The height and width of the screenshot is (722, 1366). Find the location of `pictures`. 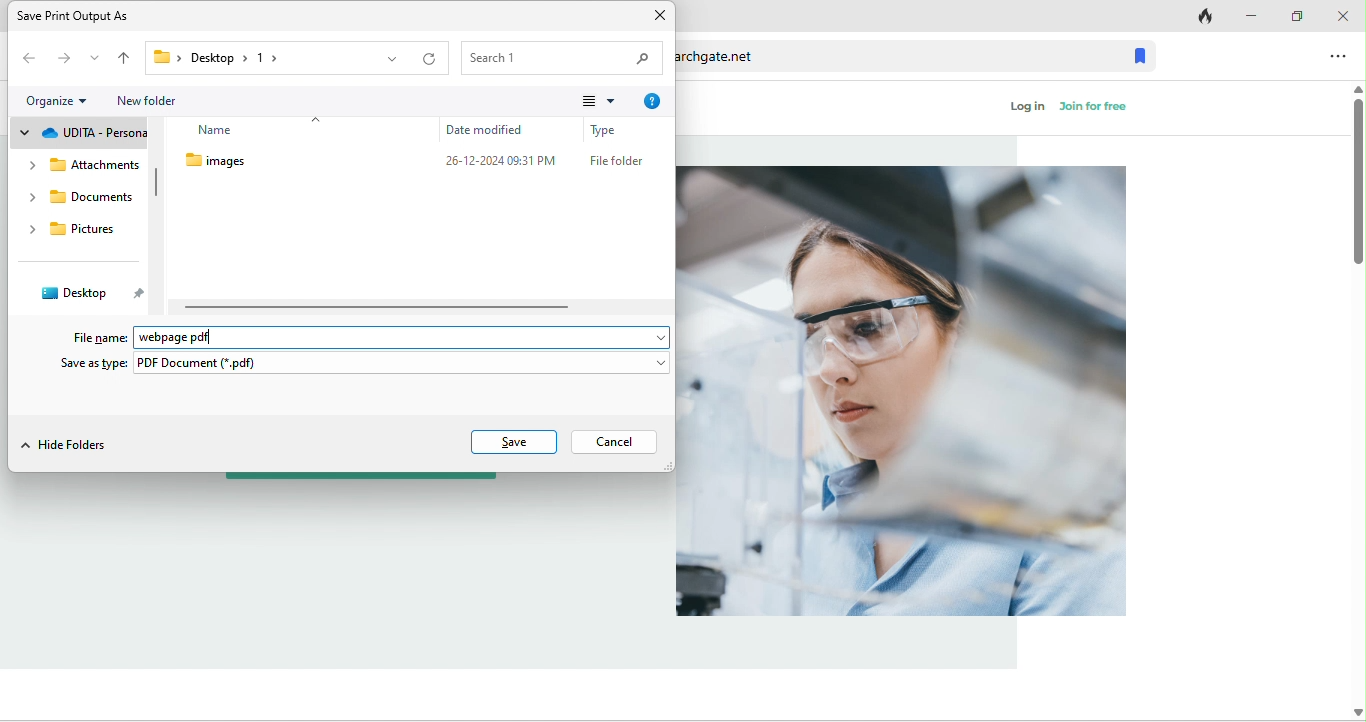

pictures is located at coordinates (73, 233).